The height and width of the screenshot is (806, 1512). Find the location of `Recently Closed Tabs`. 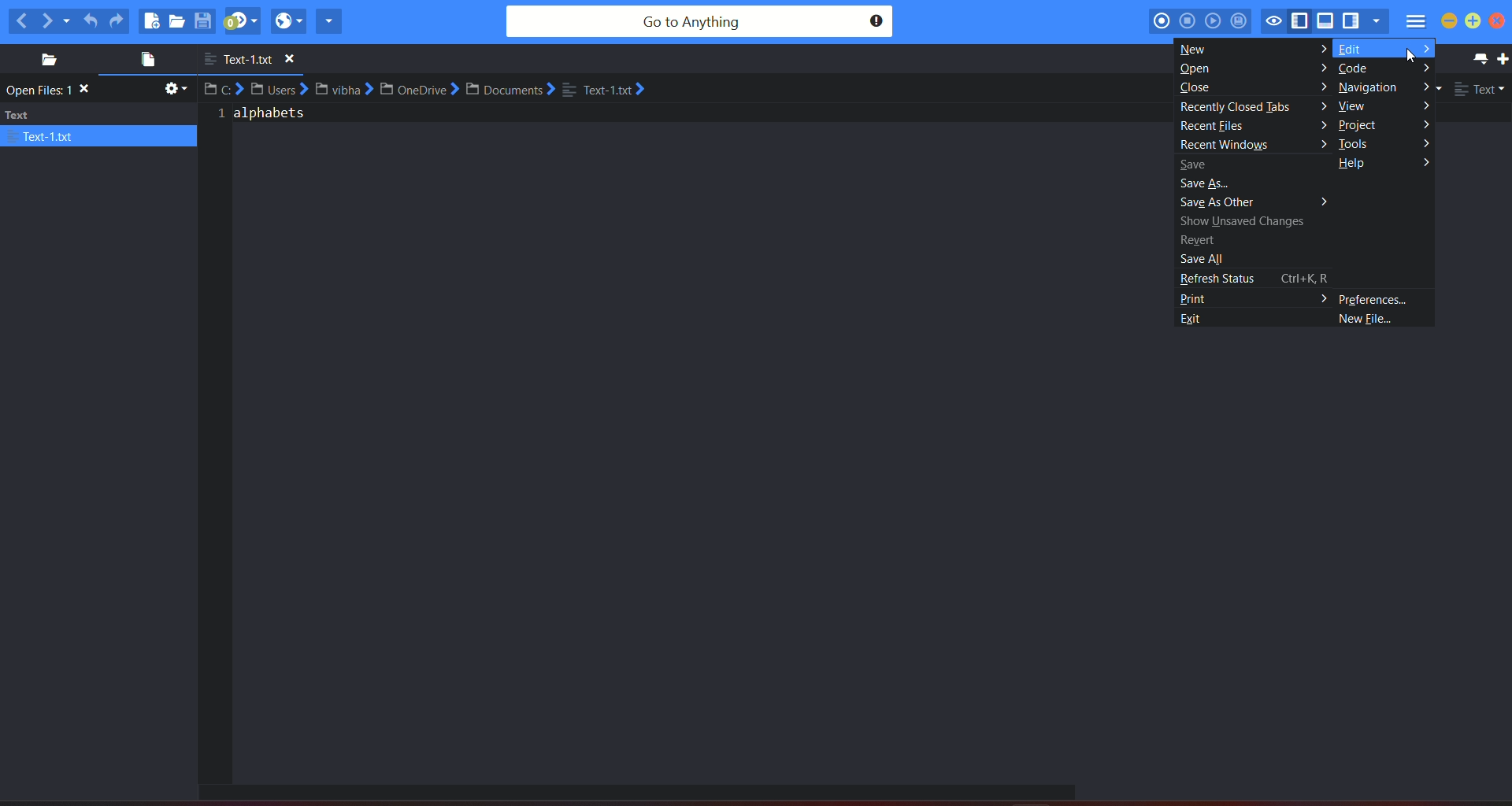

Recently Closed Tabs is located at coordinates (1235, 108).